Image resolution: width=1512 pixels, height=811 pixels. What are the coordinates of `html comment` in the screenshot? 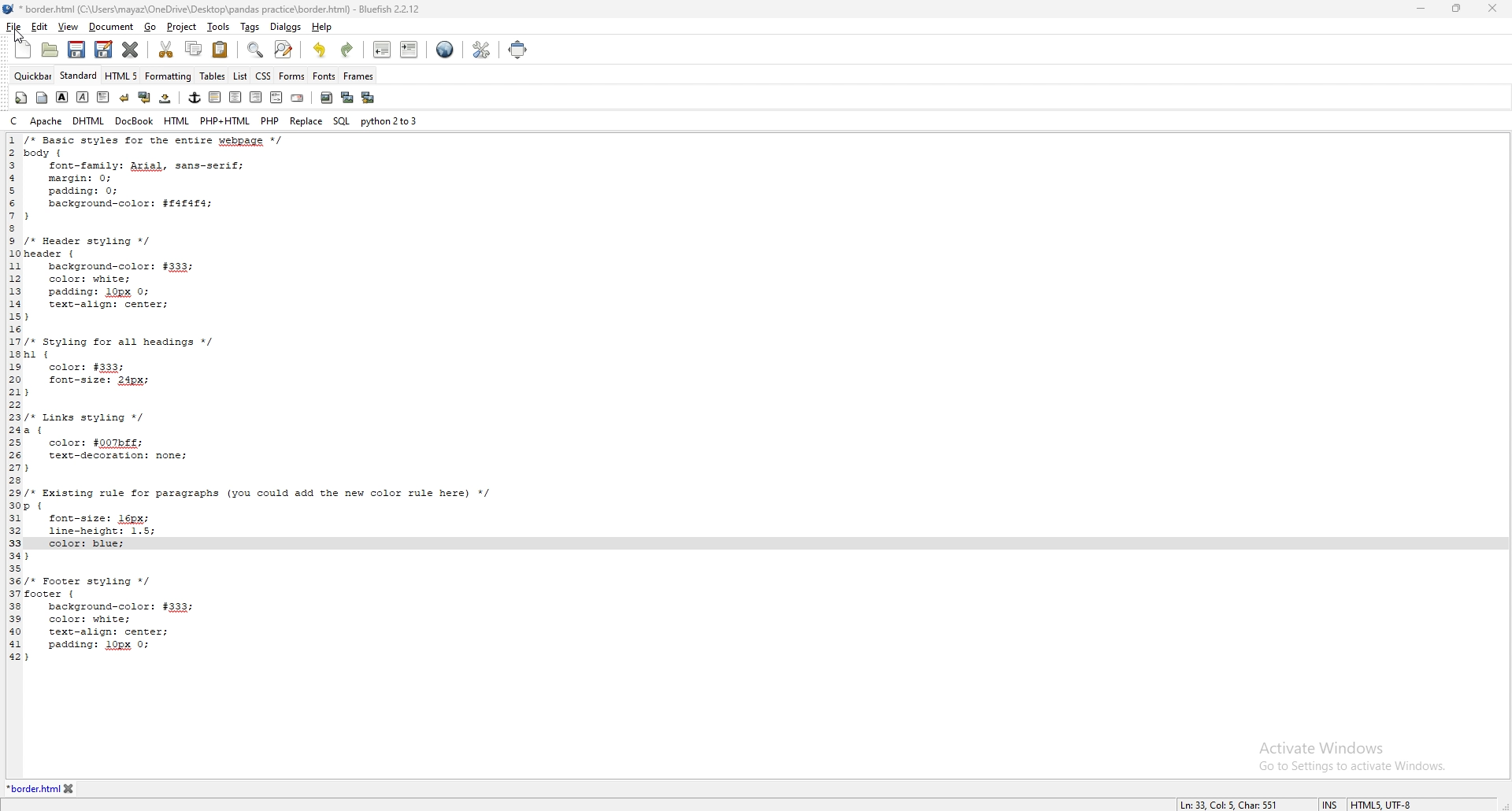 It's located at (277, 98).